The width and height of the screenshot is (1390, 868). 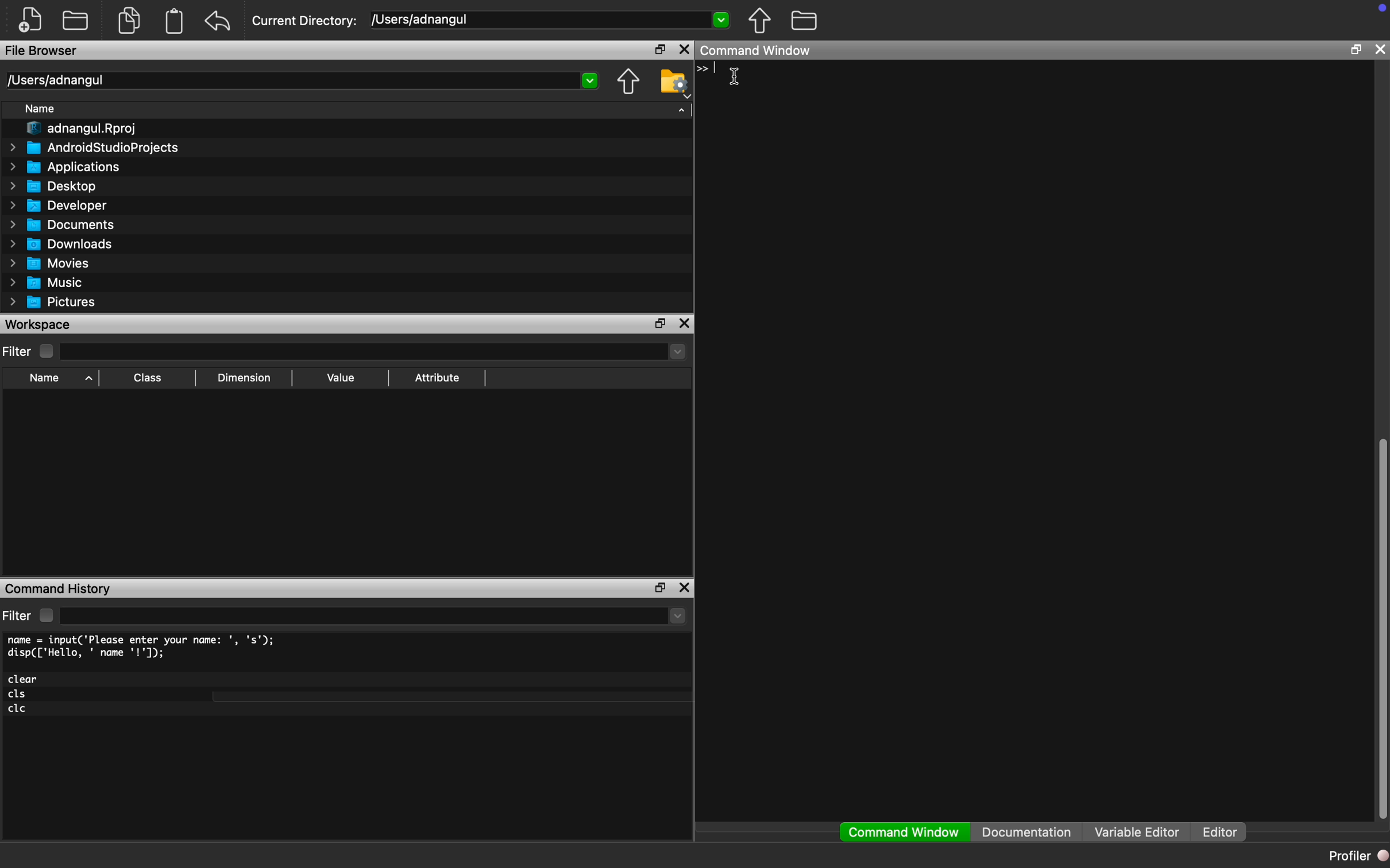 What do you see at coordinates (65, 224) in the screenshot?
I see `Documents` at bounding box center [65, 224].